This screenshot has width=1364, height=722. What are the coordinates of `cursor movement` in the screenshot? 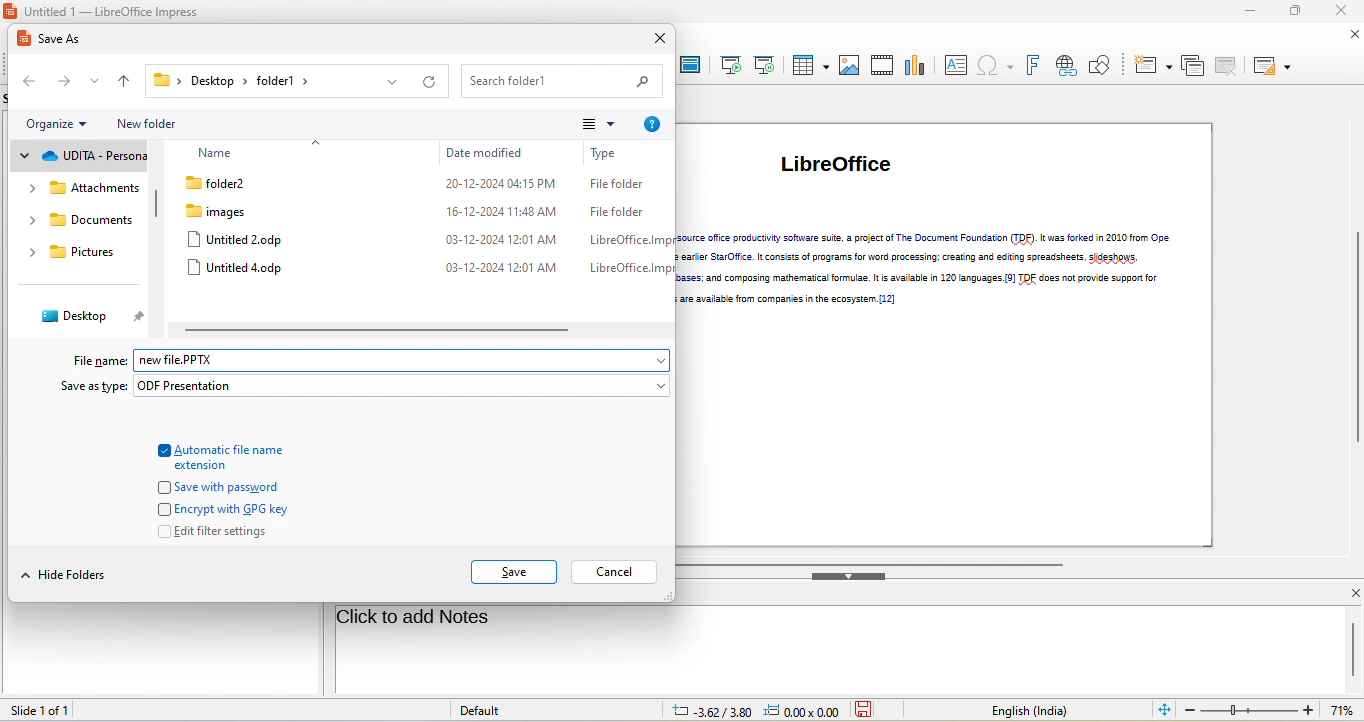 It's located at (369, 235).